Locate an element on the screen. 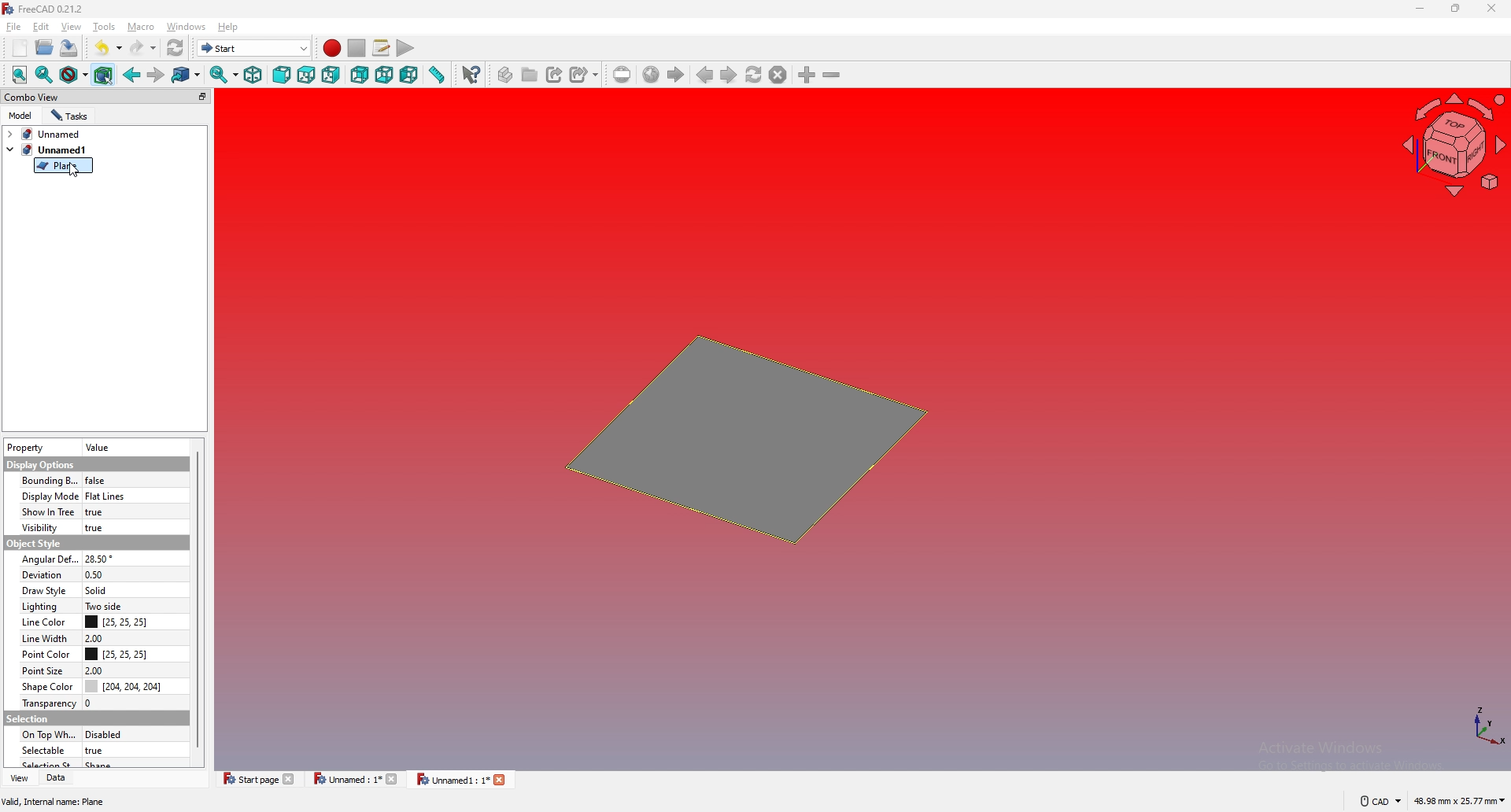 This screenshot has height=812, width=1511. 0 is located at coordinates (95, 703).